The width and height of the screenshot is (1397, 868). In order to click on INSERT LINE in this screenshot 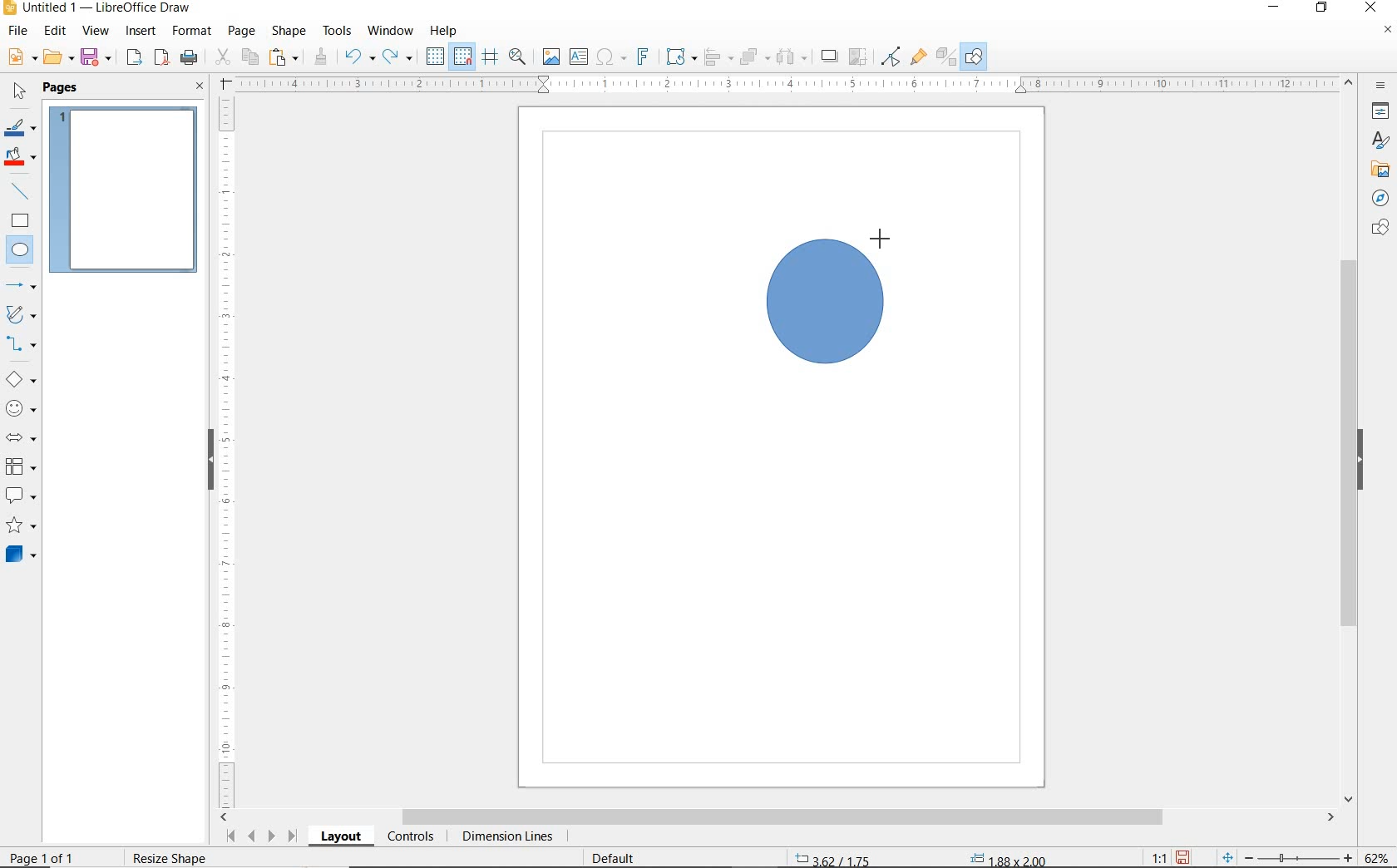, I will do `click(22, 191)`.